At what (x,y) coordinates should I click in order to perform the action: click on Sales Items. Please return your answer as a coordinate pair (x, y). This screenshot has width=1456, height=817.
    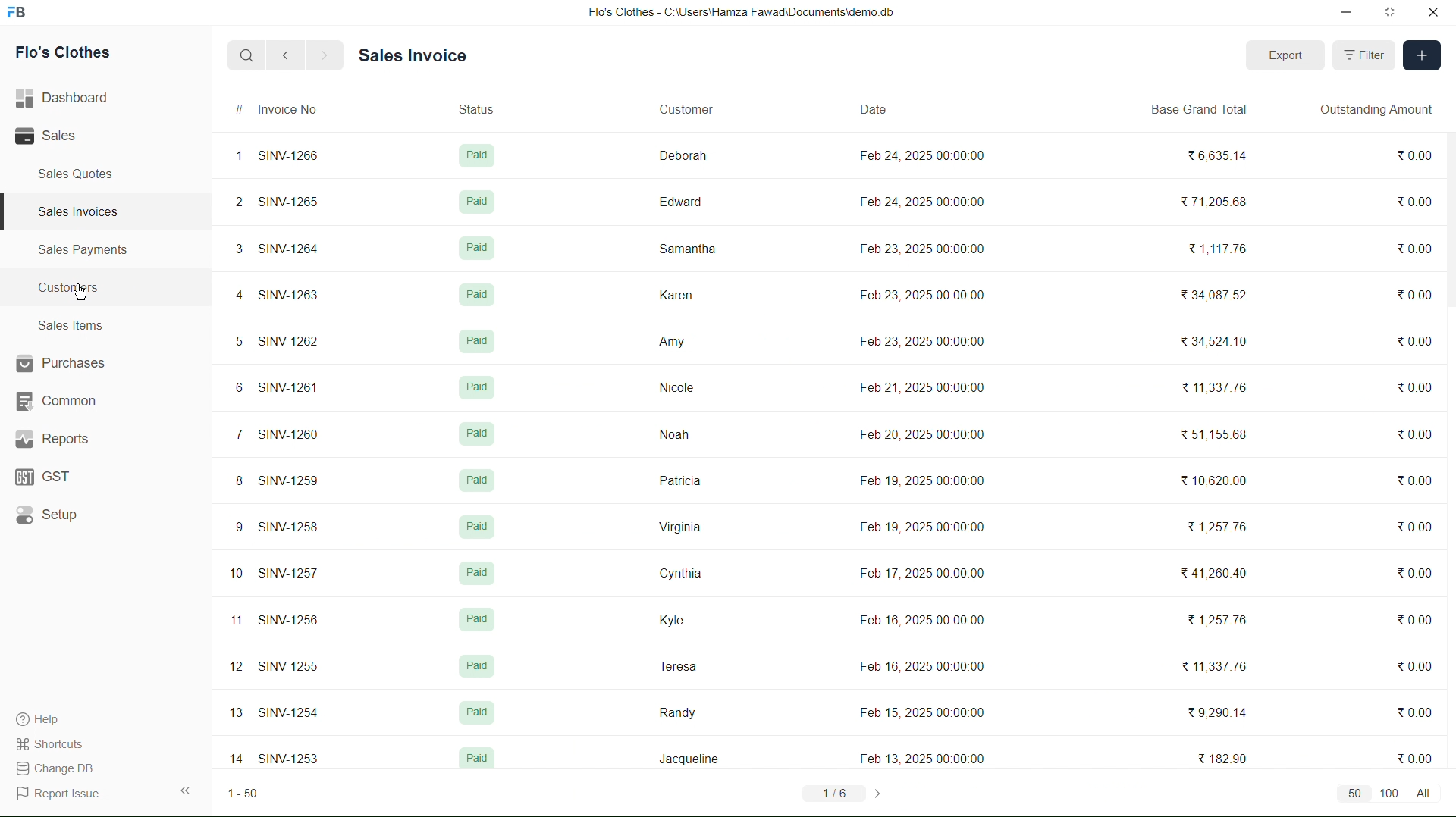
    Looking at the image, I should click on (71, 326).